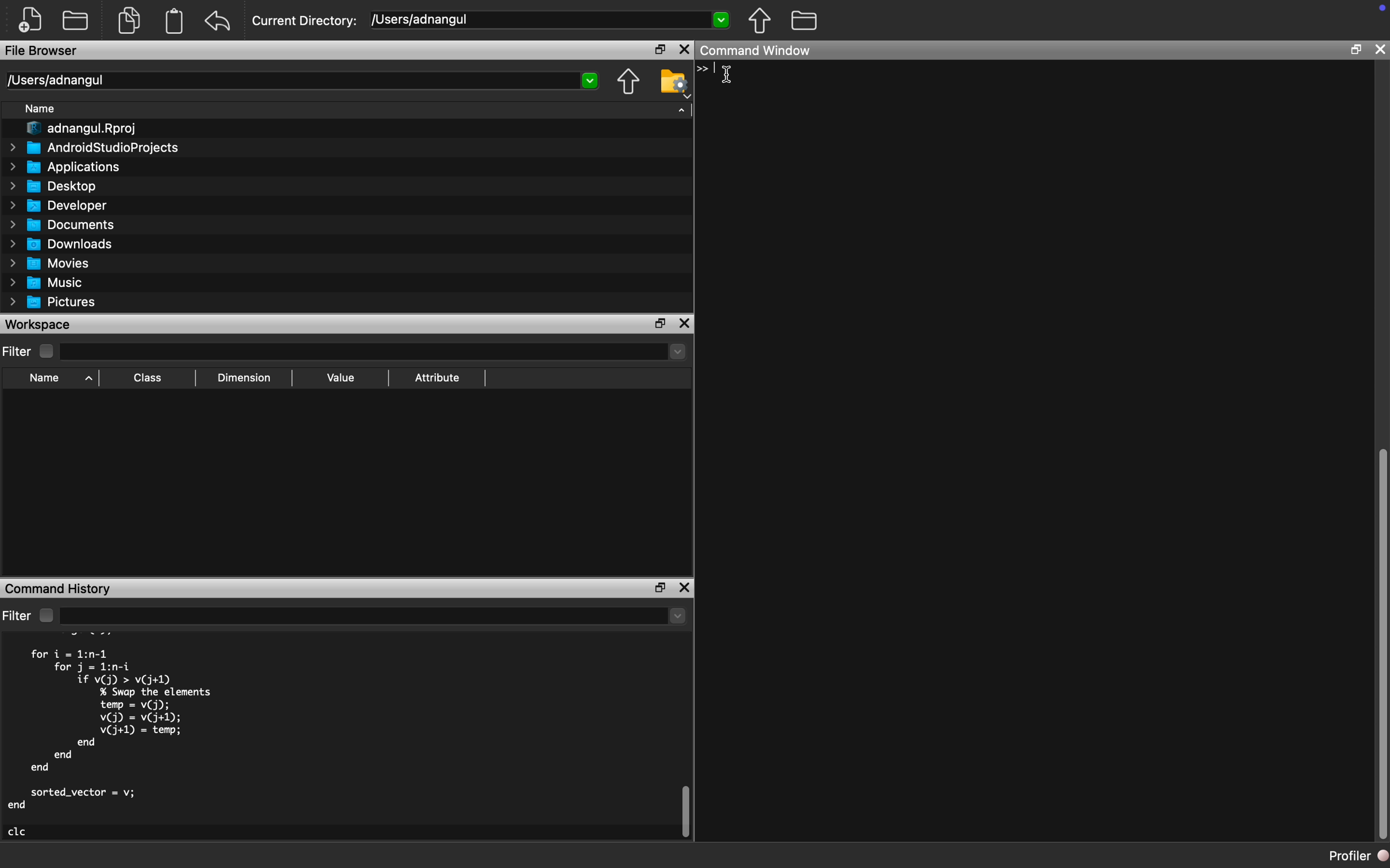  What do you see at coordinates (219, 22) in the screenshot?
I see `Redo` at bounding box center [219, 22].